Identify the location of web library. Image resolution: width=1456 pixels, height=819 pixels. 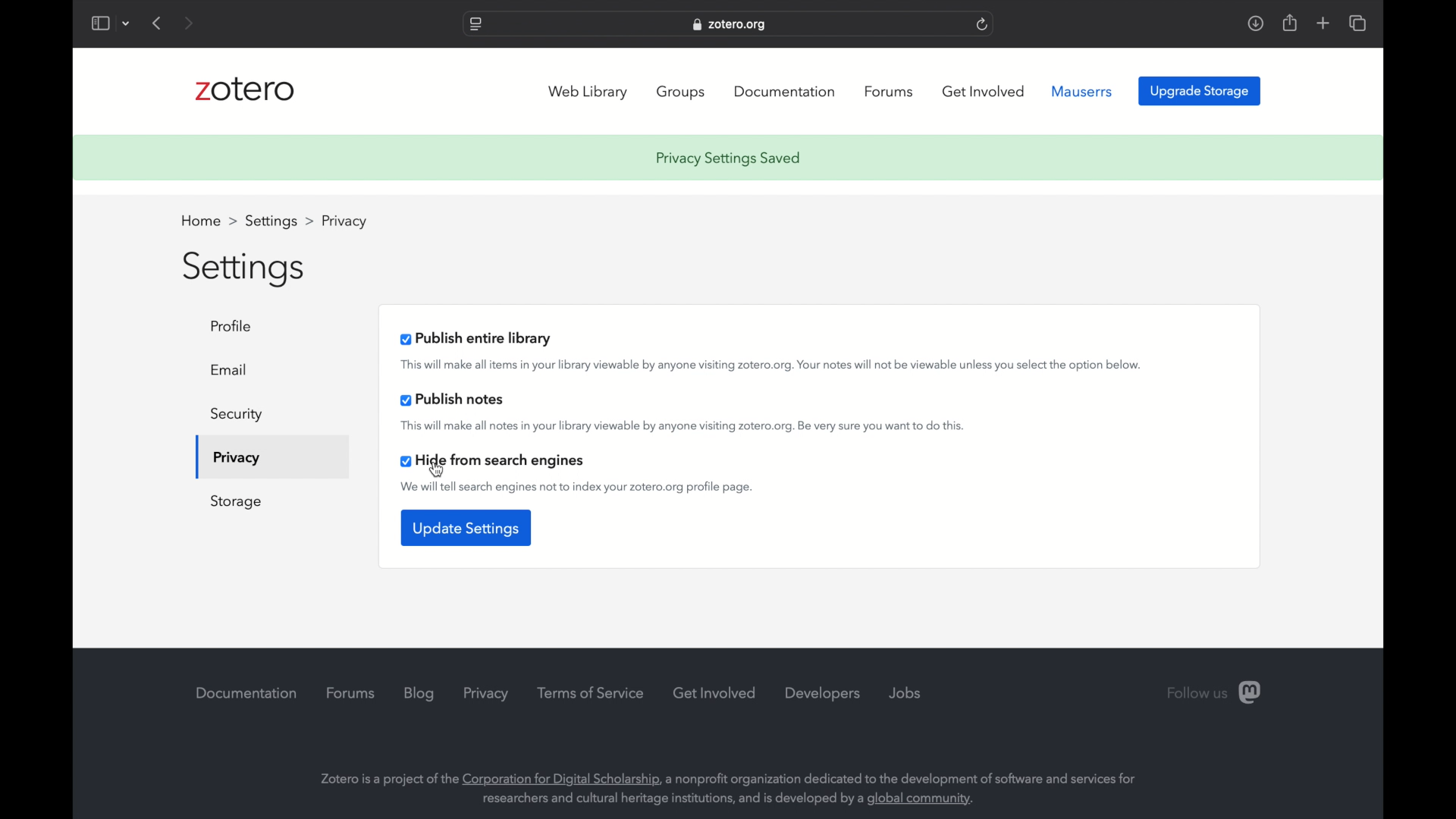
(588, 93).